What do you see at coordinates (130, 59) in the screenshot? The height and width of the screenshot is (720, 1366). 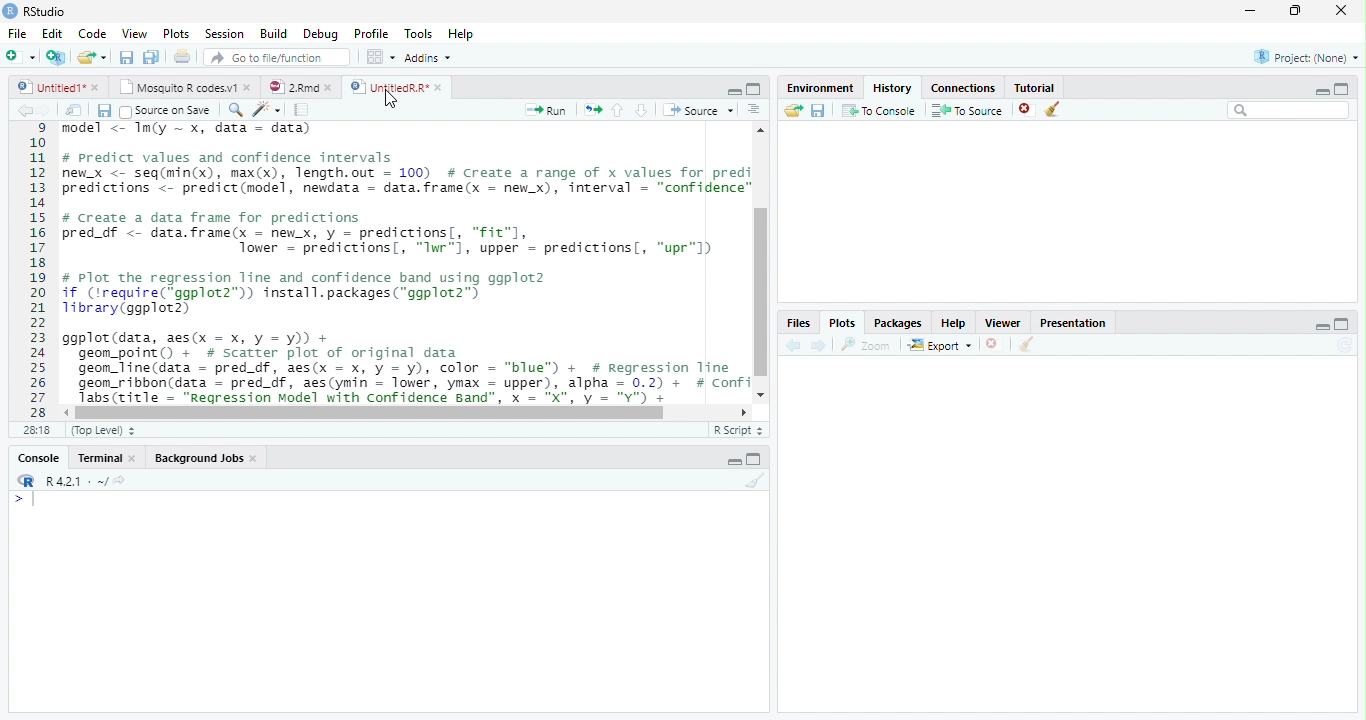 I see `Save ` at bounding box center [130, 59].